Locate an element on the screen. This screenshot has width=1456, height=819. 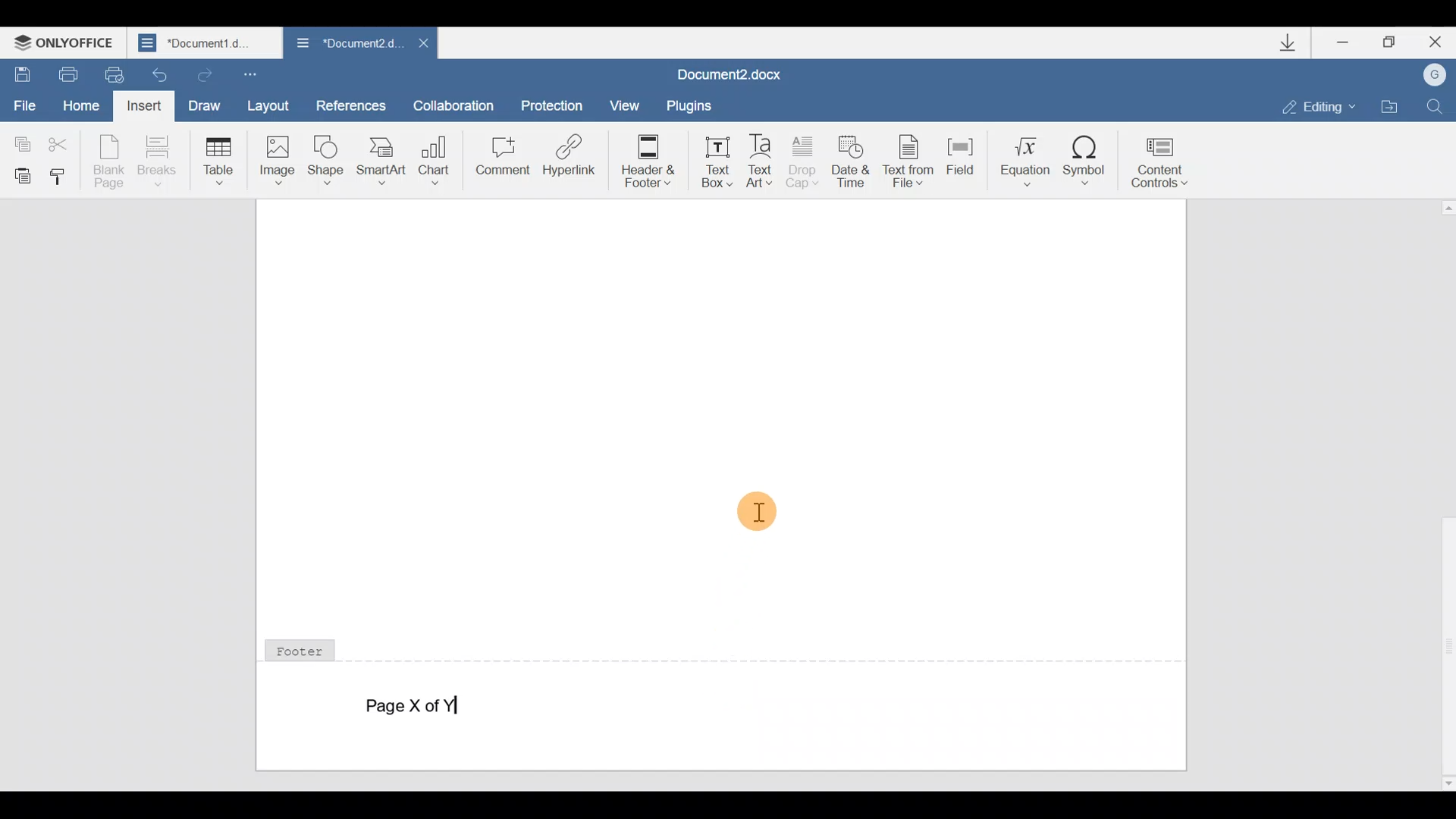
Layout is located at coordinates (273, 105).